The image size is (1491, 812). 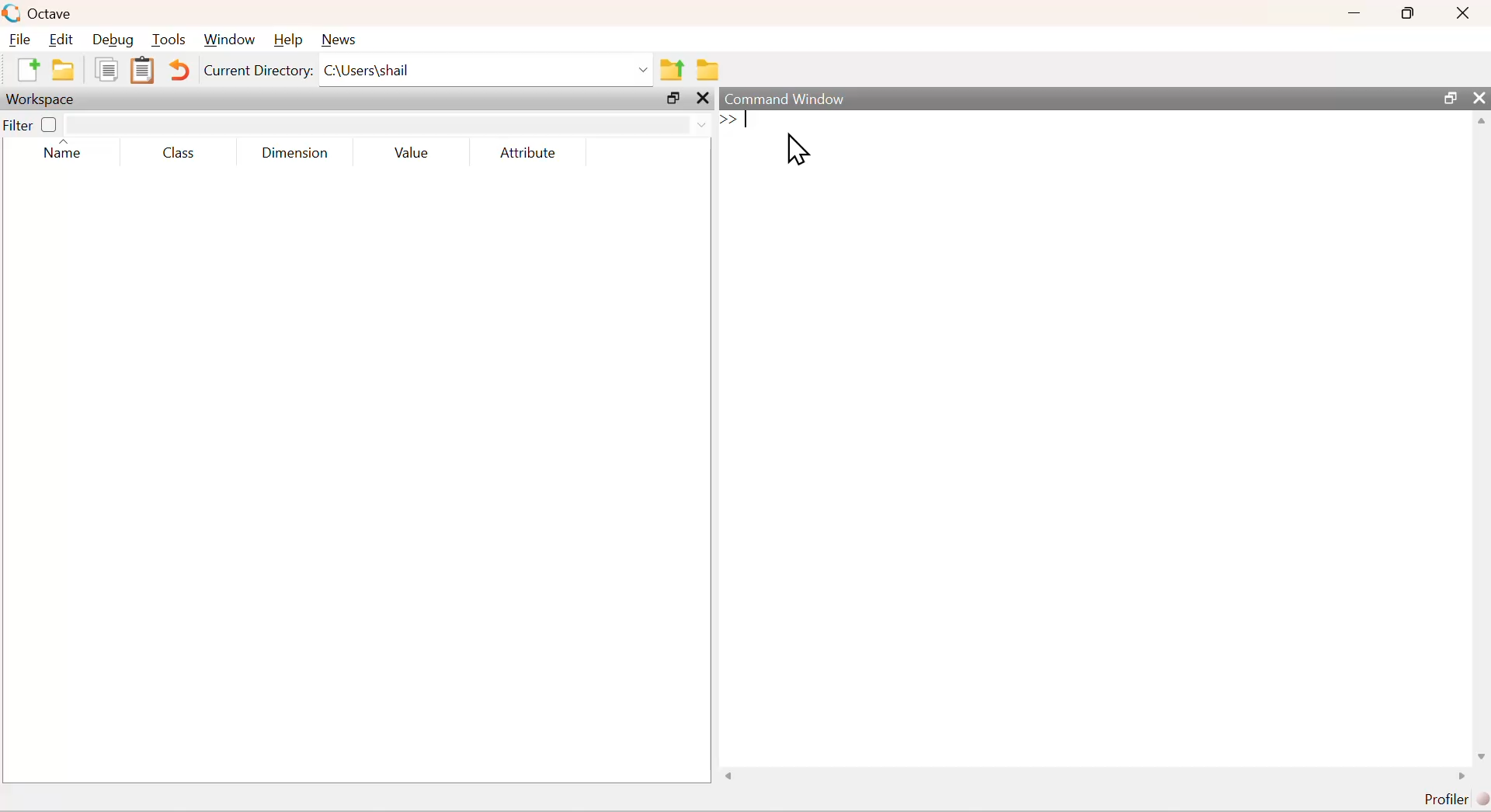 I want to click on drop down, so click(x=389, y=123).